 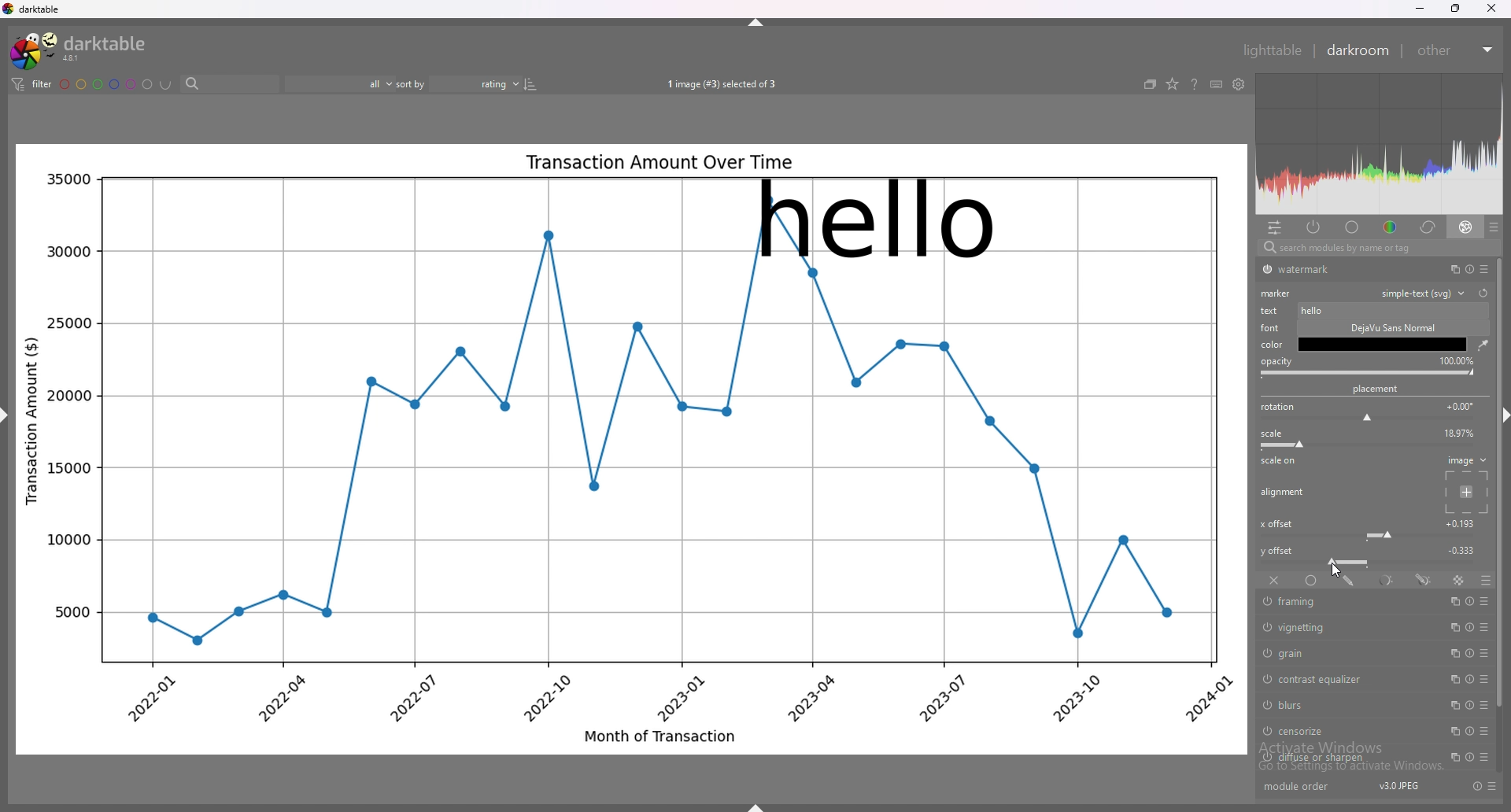 What do you see at coordinates (1304, 582) in the screenshot?
I see `uniformly` at bounding box center [1304, 582].